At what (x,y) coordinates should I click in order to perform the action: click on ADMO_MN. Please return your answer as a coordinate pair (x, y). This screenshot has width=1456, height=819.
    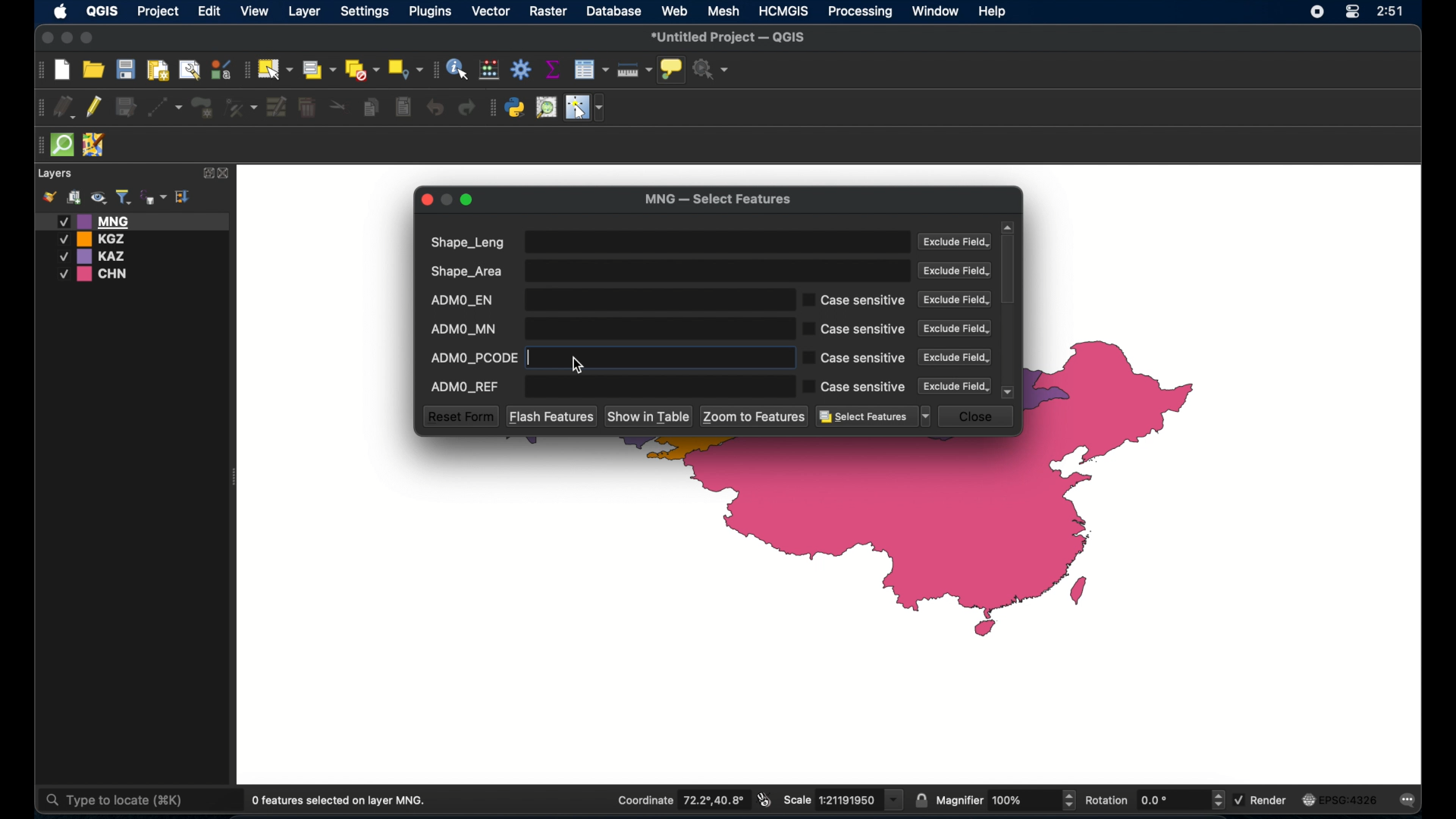
    Looking at the image, I should click on (606, 328).